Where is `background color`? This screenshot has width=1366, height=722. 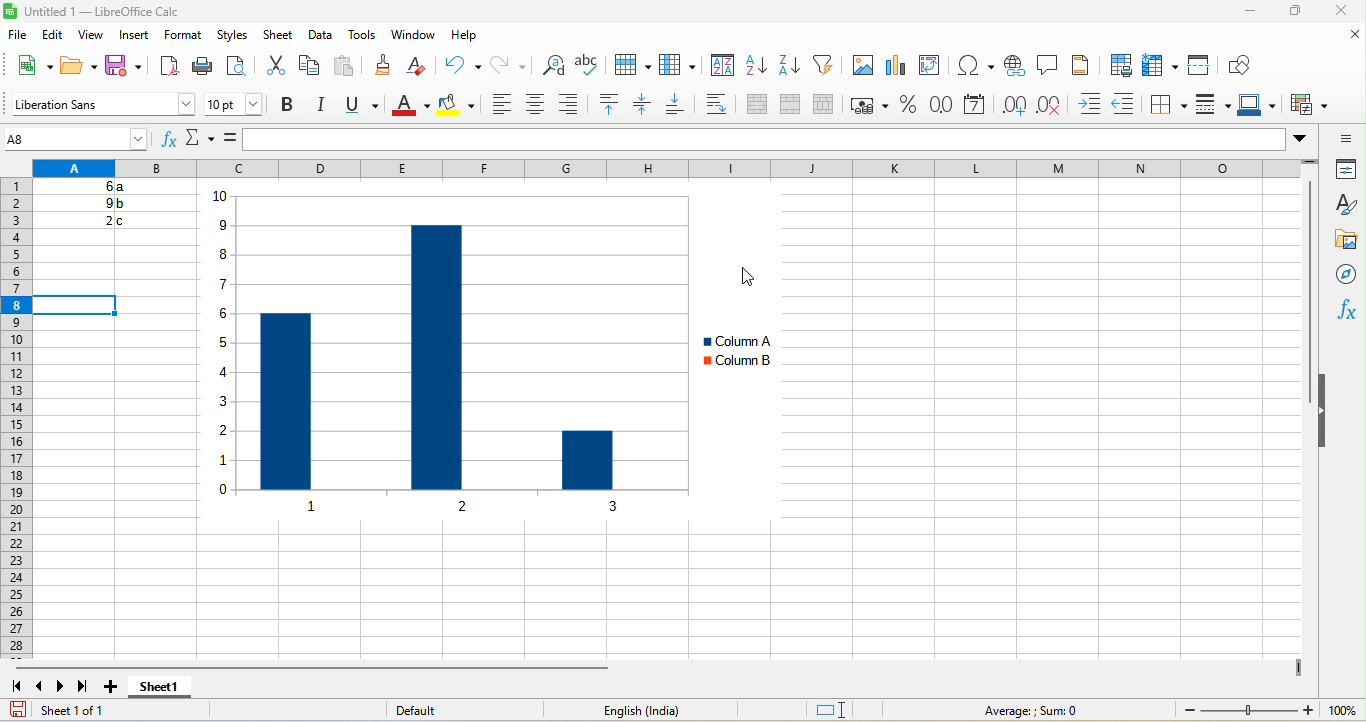
background color is located at coordinates (459, 107).